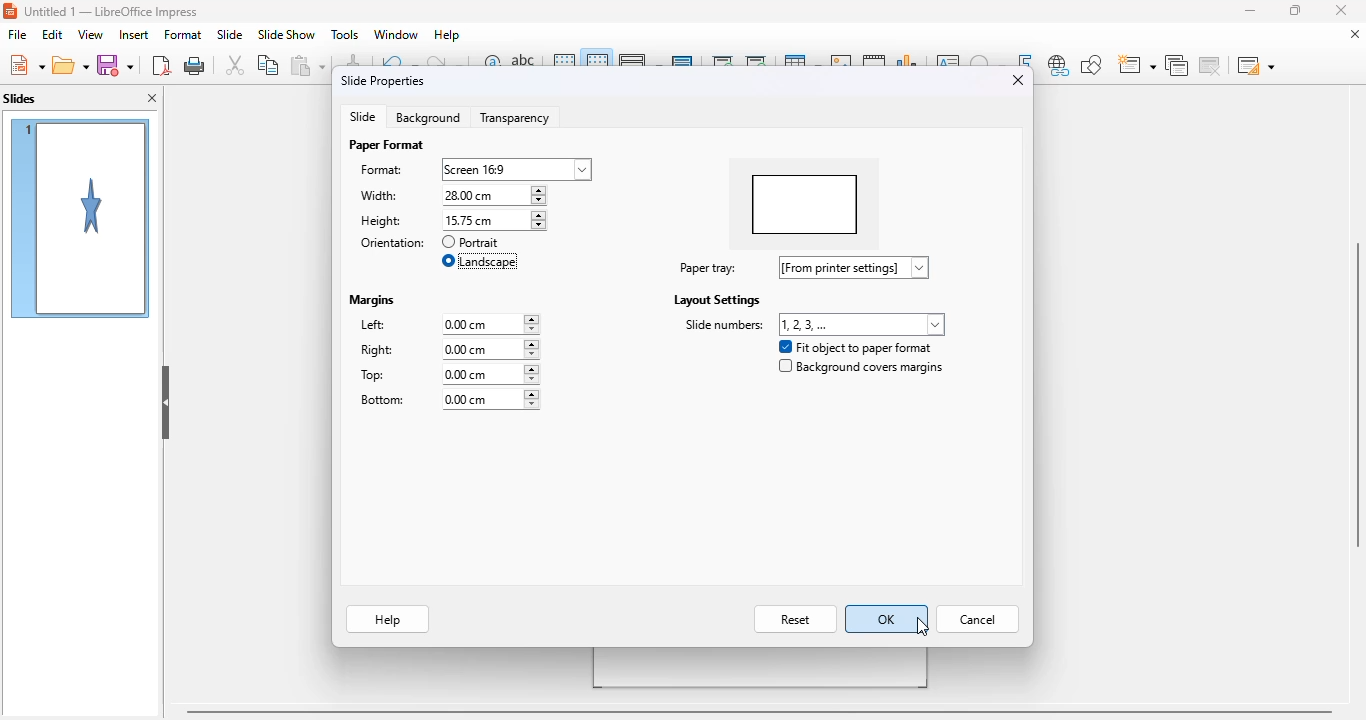 This screenshot has width=1366, height=720. What do you see at coordinates (1137, 64) in the screenshot?
I see `new slide` at bounding box center [1137, 64].